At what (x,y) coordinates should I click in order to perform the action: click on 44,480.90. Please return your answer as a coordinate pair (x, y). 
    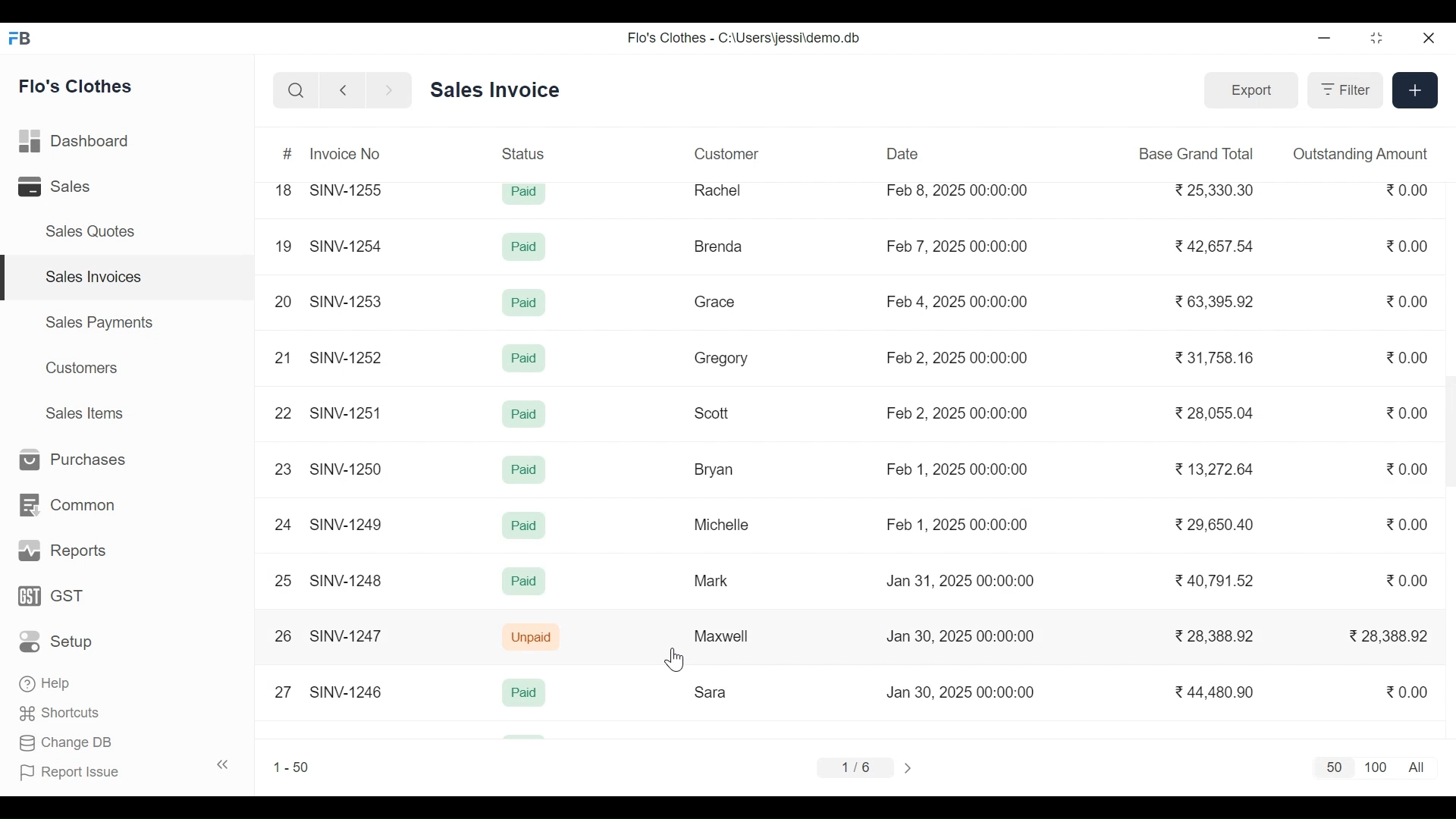
    Looking at the image, I should click on (1217, 692).